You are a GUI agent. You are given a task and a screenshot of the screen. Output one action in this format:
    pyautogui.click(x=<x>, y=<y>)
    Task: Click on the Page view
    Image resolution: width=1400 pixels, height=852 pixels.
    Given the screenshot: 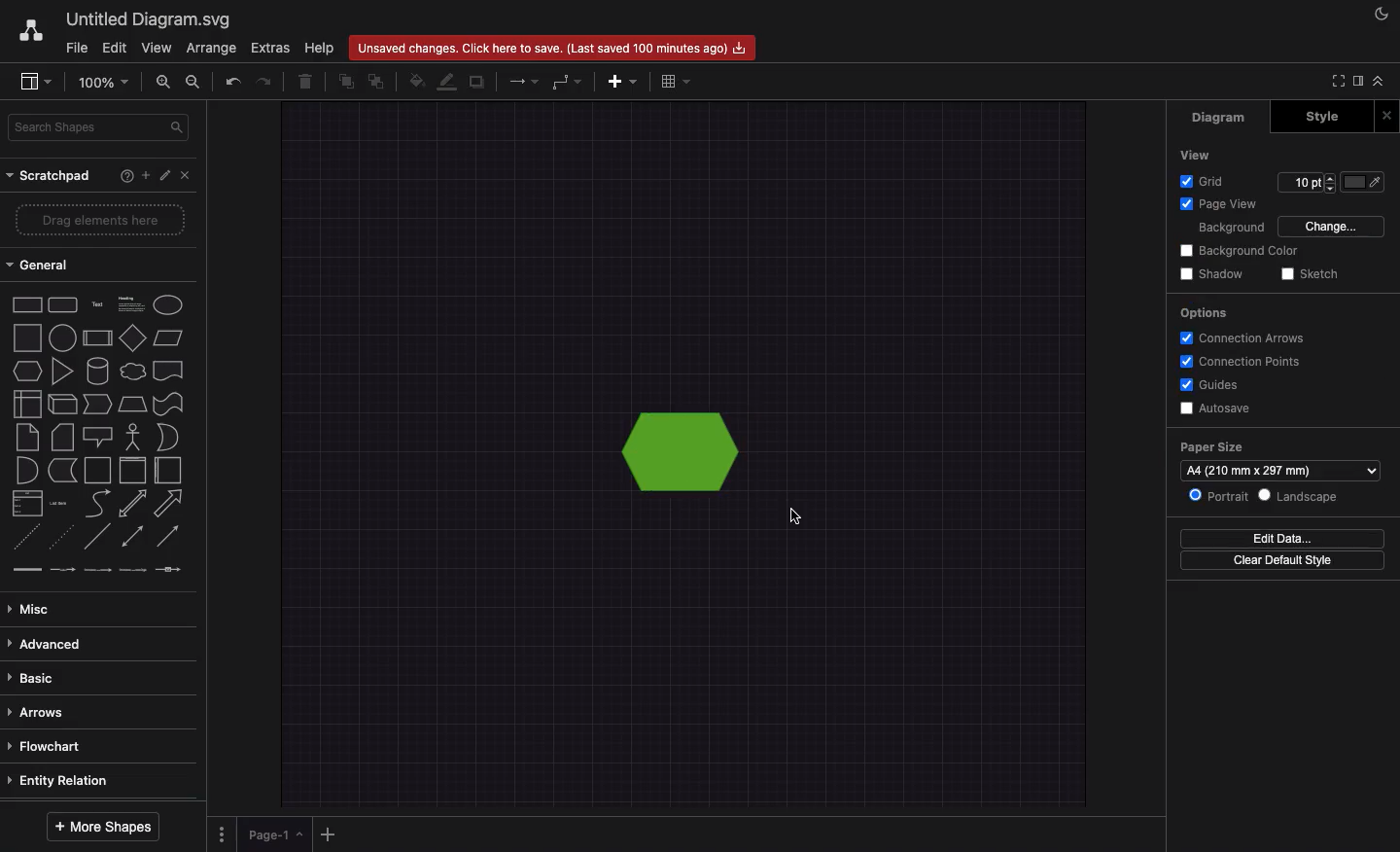 What is the action you would take?
    pyautogui.click(x=1216, y=203)
    